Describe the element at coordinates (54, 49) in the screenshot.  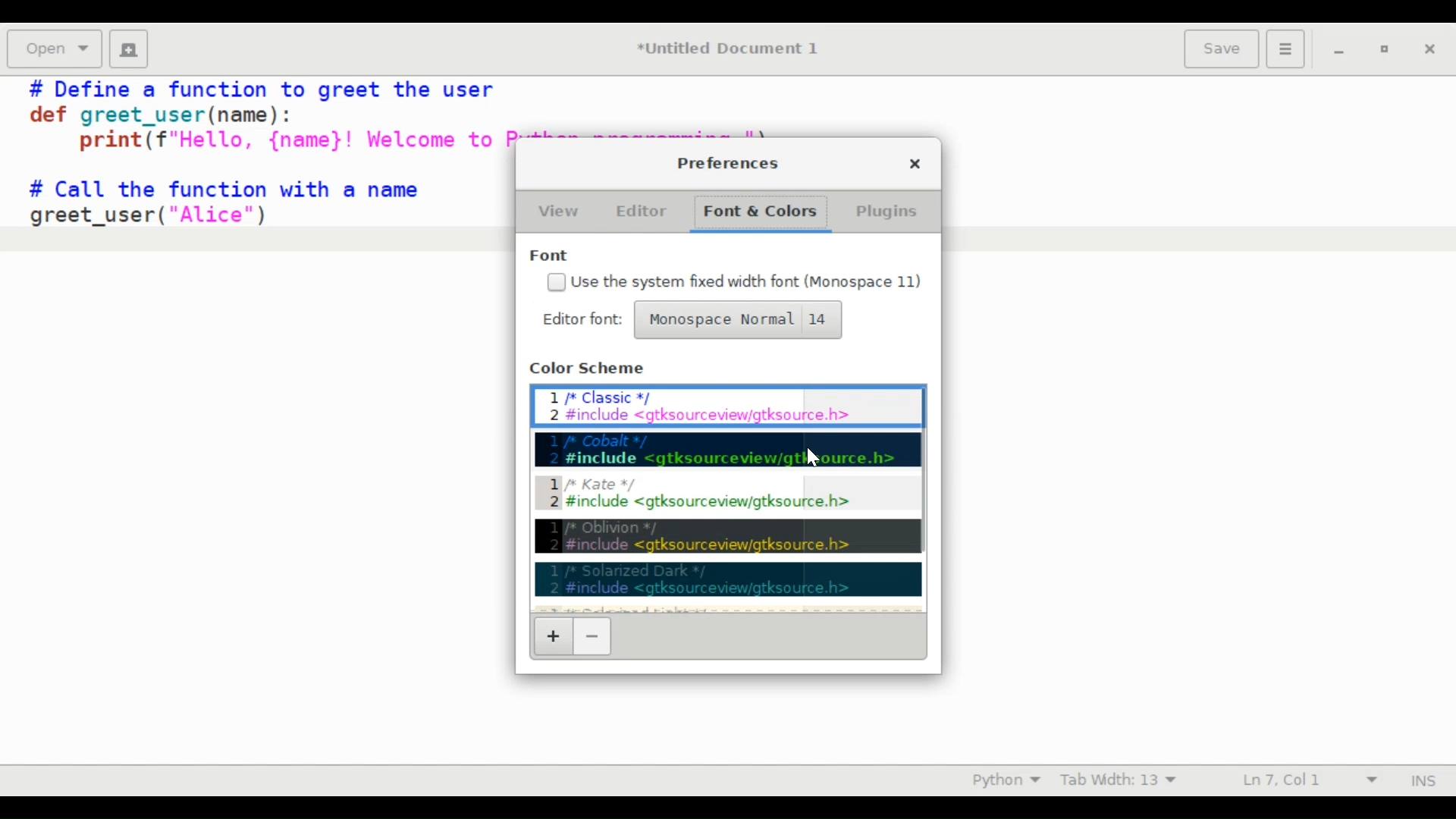
I see `Open` at that location.